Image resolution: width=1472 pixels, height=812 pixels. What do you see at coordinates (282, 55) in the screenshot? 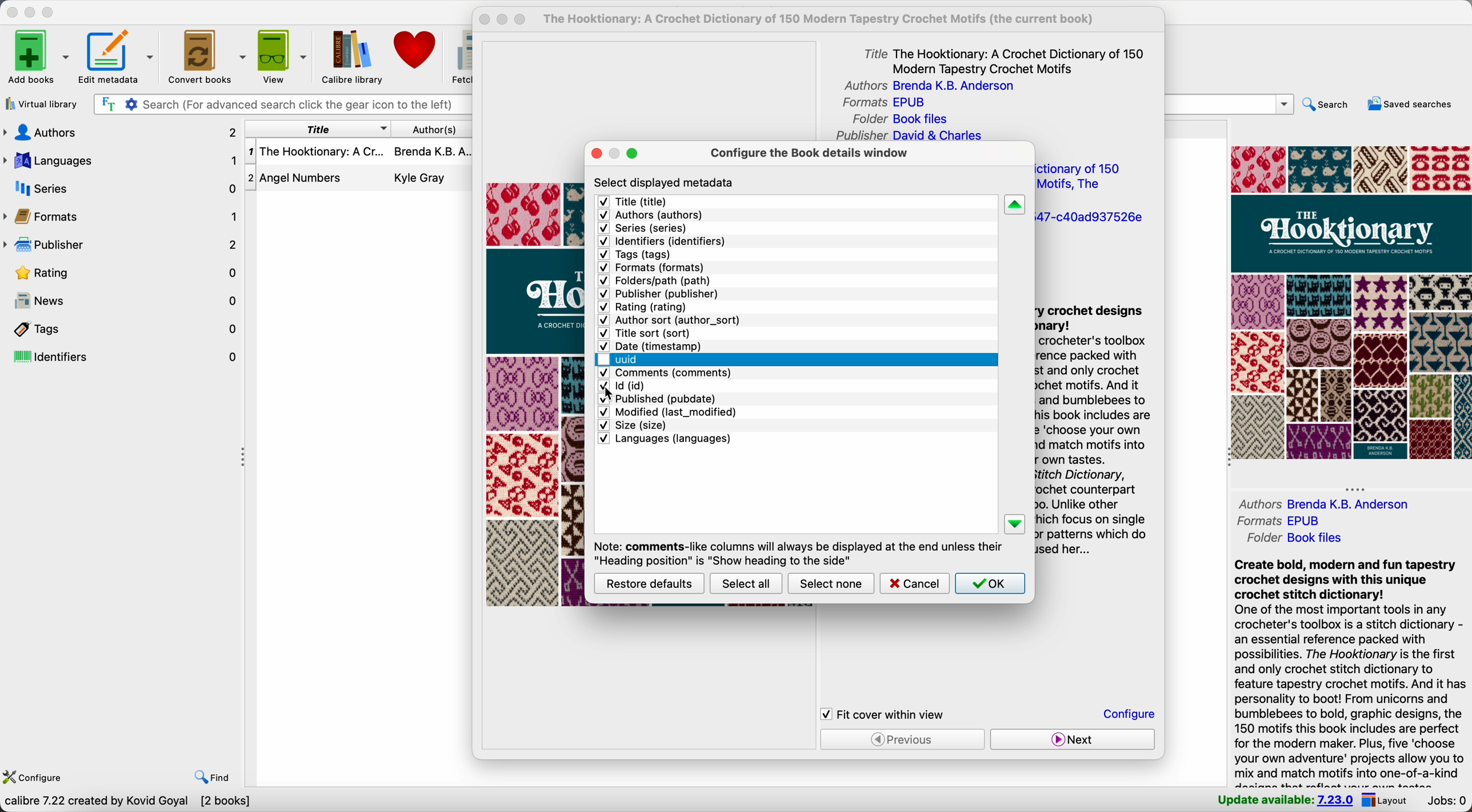
I see `view` at bounding box center [282, 55].